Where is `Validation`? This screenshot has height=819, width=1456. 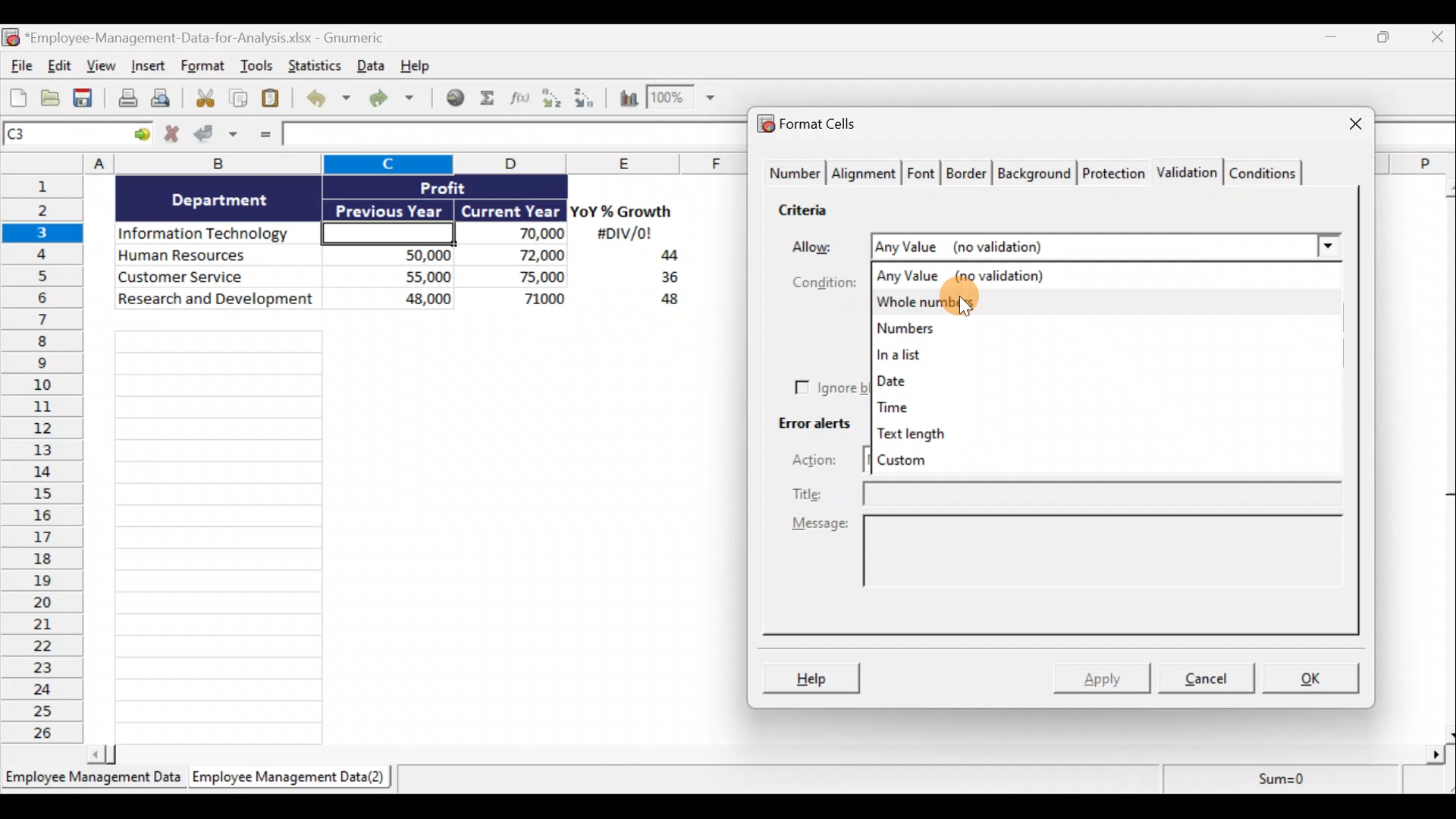
Validation is located at coordinates (1189, 171).